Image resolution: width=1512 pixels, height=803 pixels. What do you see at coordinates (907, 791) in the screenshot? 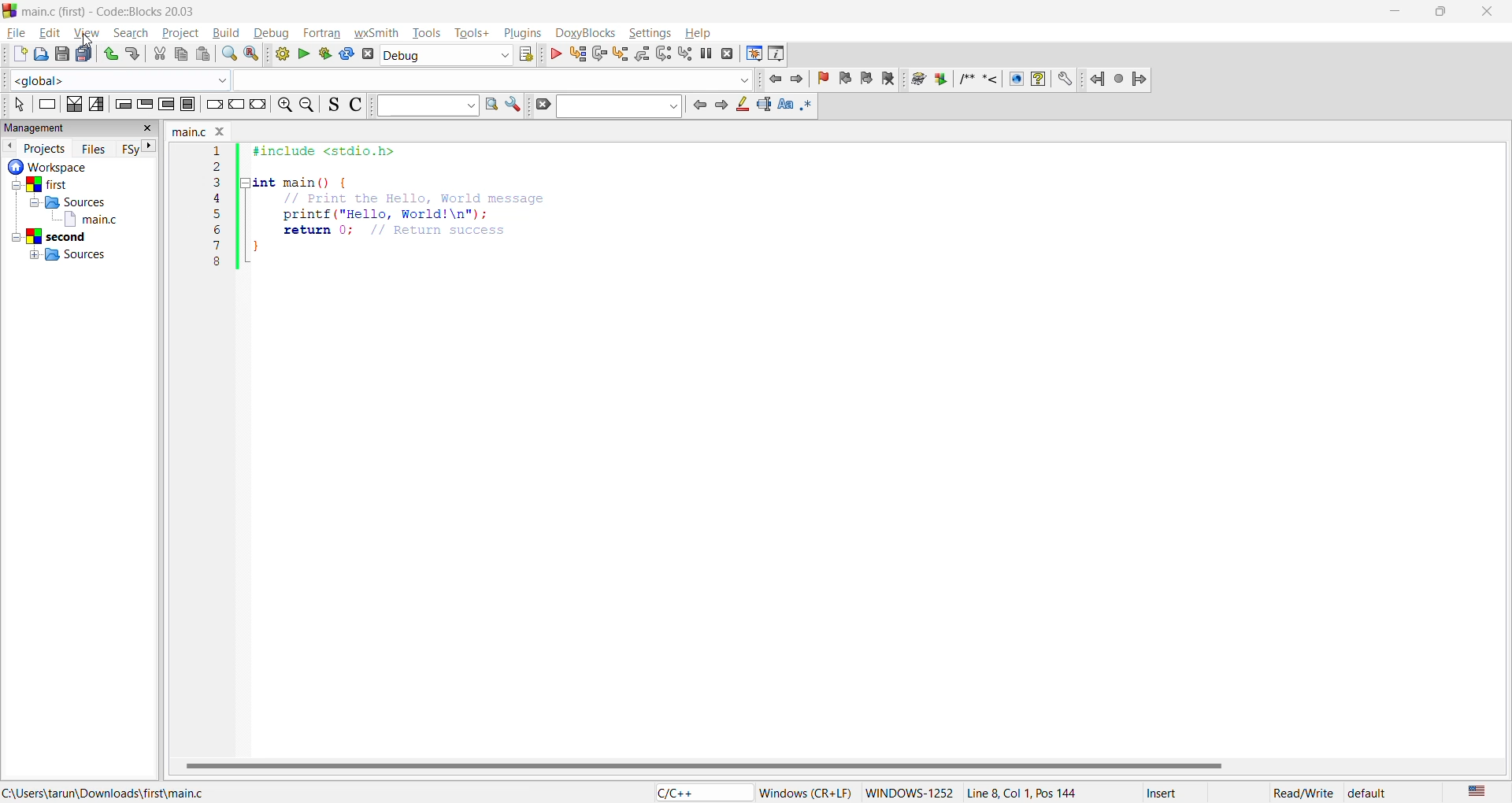
I see `WINDOWS-1252` at bounding box center [907, 791].